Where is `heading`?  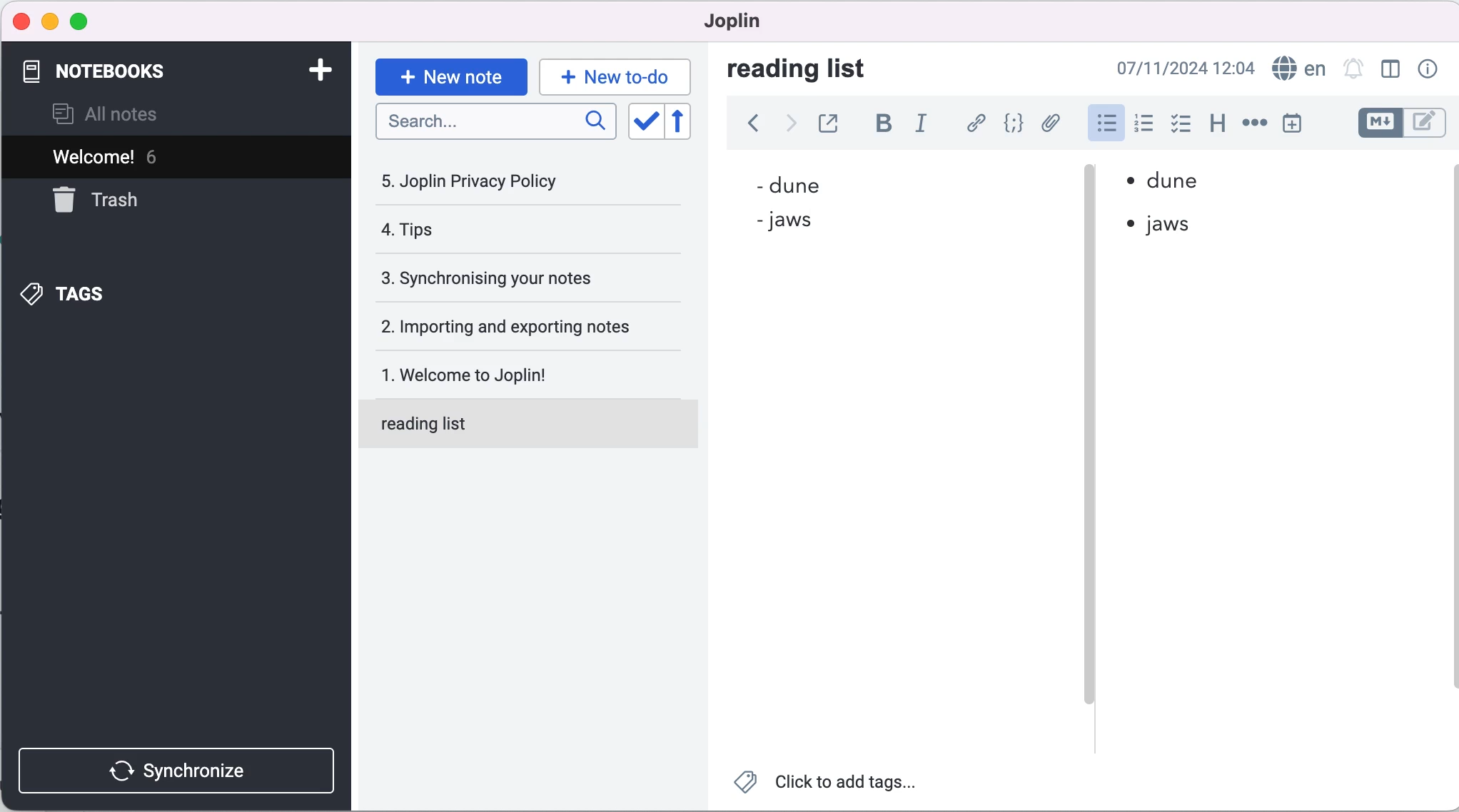 heading is located at coordinates (1218, 127).